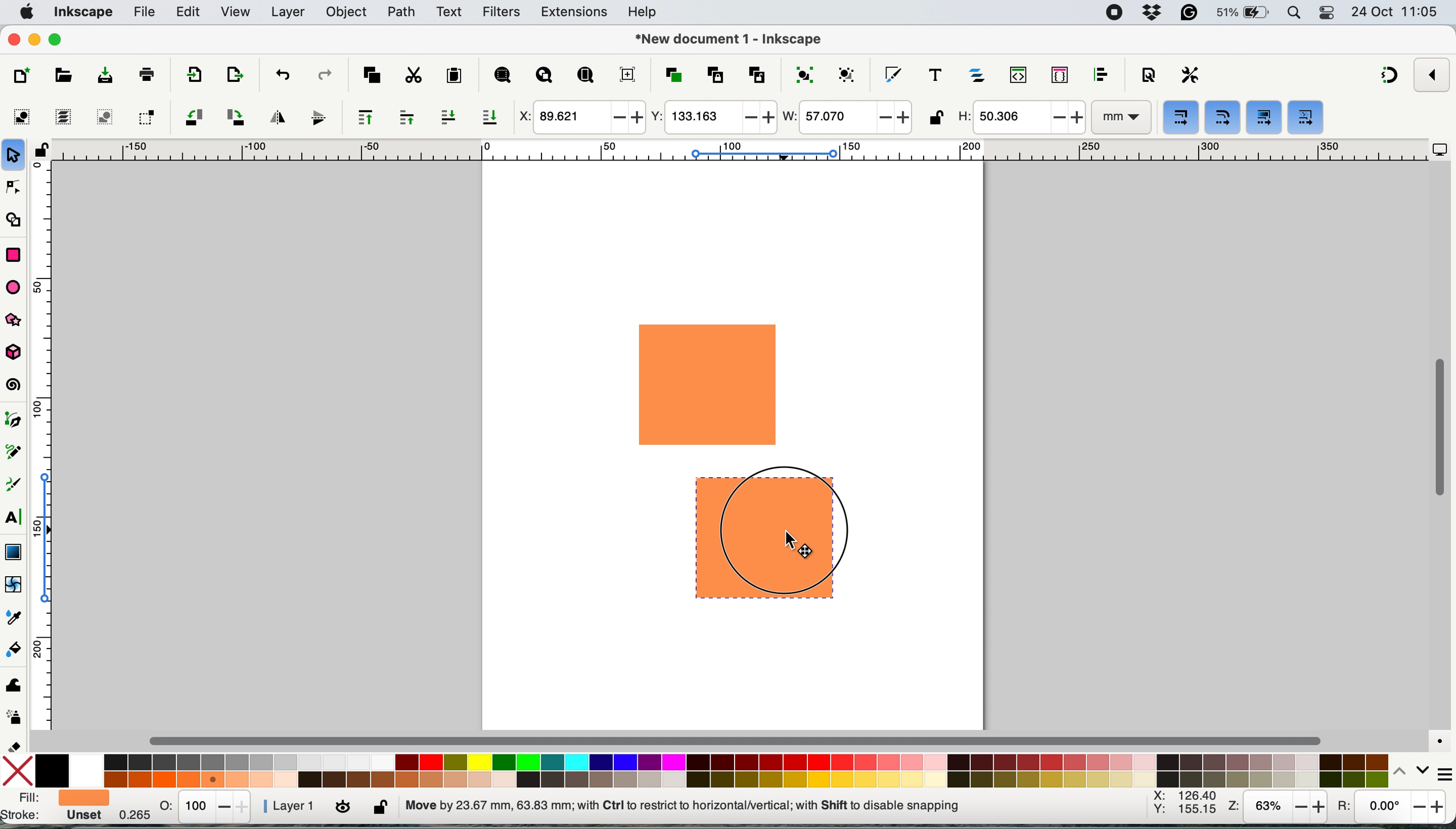  Describe the element at coordinates (1191, 14) in the screenshot. I see `grammarly` at that location.